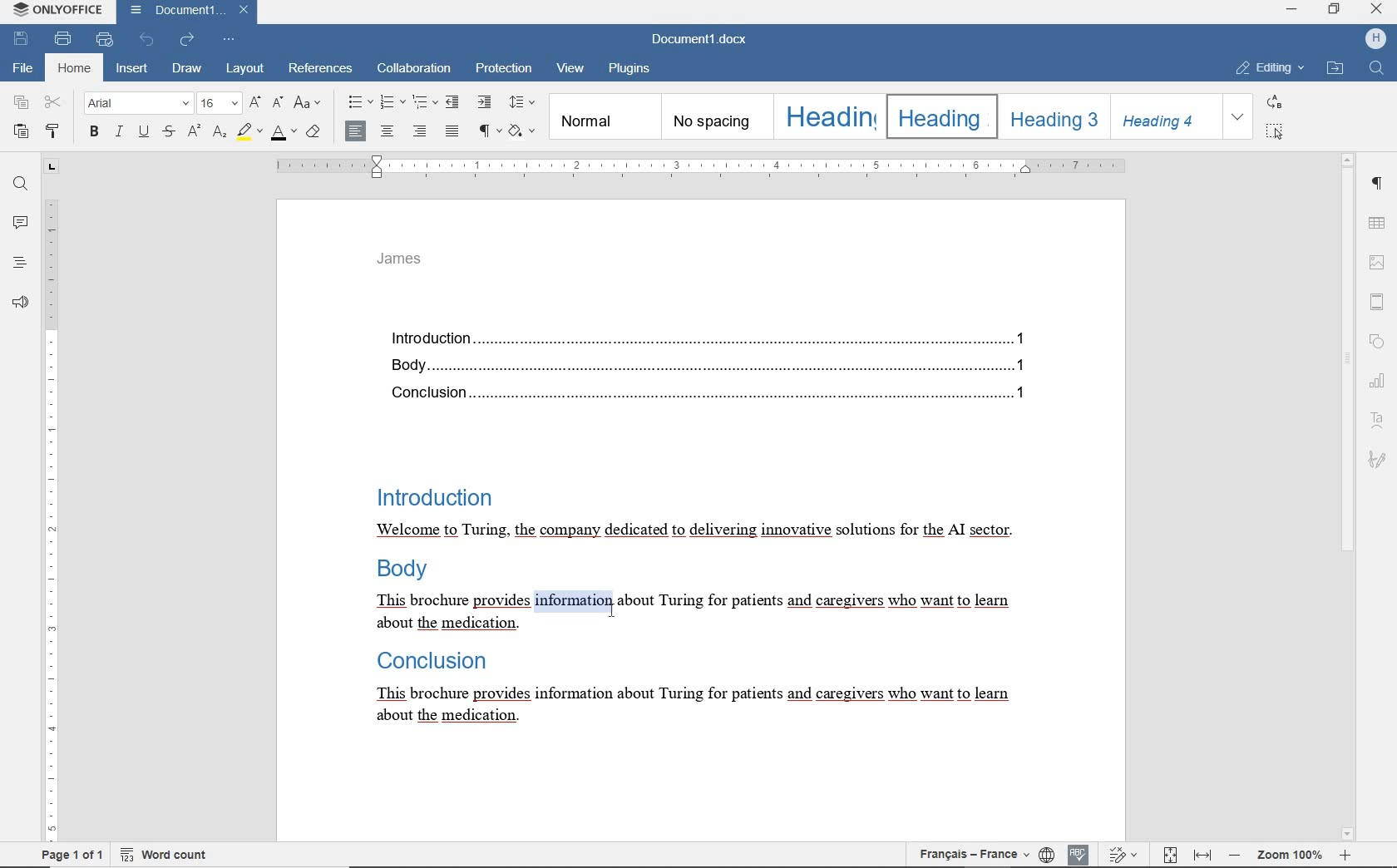 The height and width of the screenshot is (868, 1397). I want to click on COMMENTS, so click(18, 223).